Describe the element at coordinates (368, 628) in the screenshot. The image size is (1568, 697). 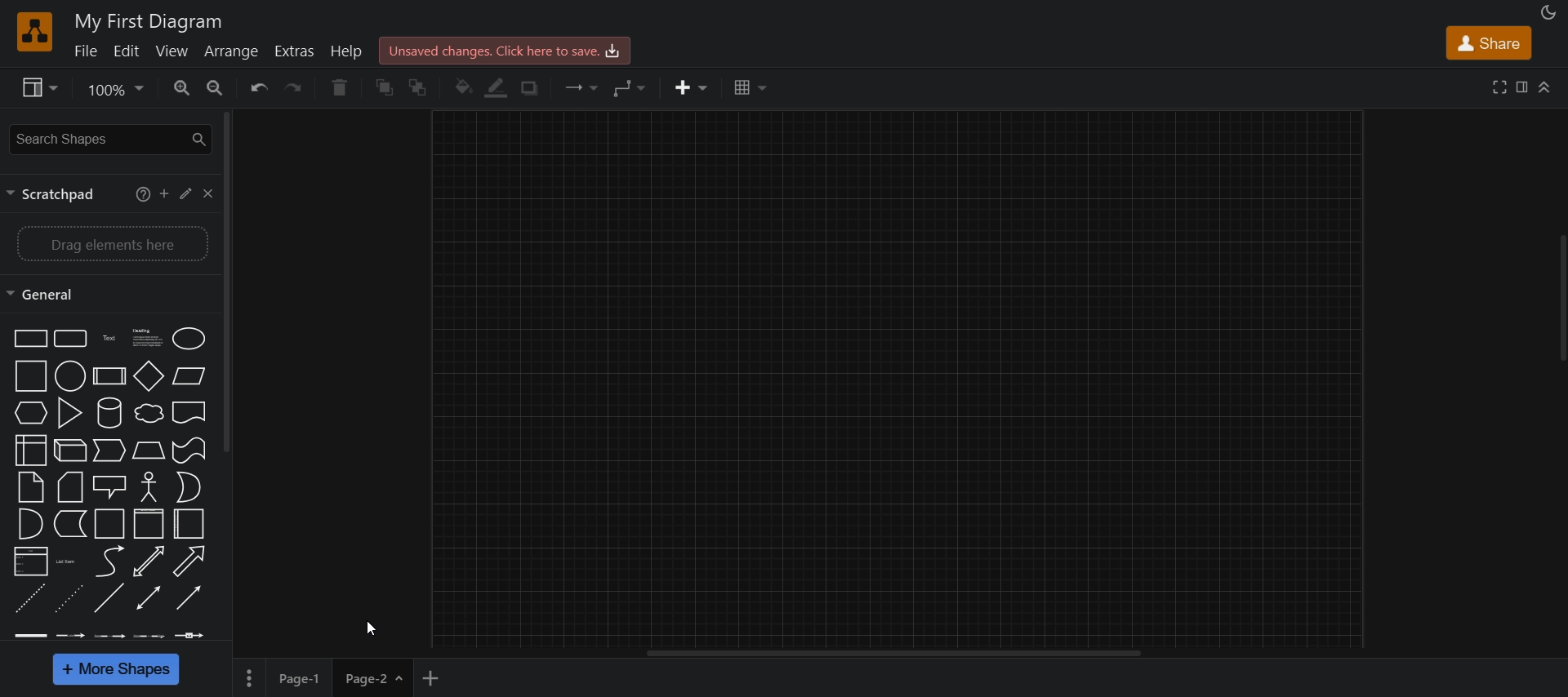
I see `cursor` at that location.